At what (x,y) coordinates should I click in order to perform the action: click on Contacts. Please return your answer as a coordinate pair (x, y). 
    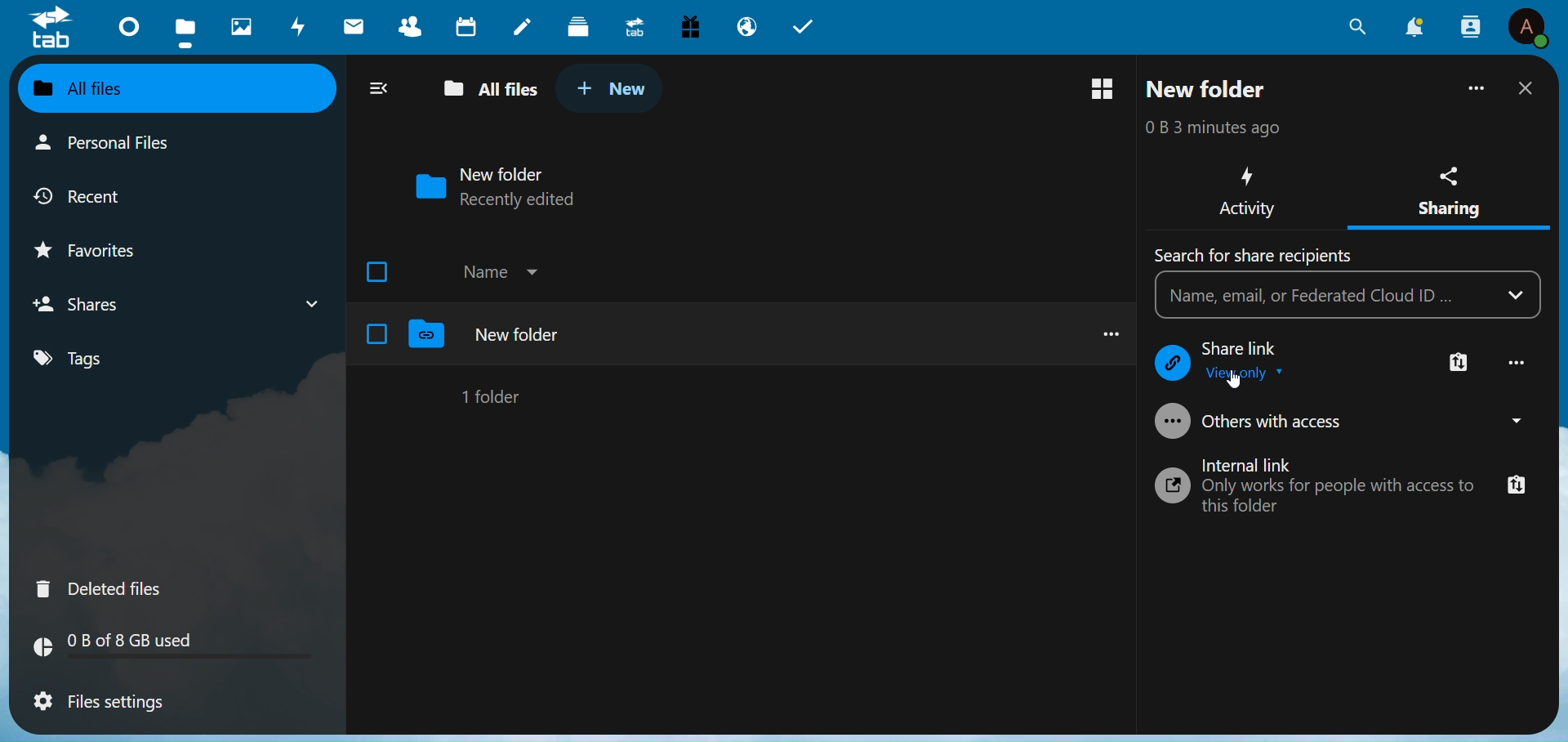
    Looking at the image, I should click on (1471, 25).